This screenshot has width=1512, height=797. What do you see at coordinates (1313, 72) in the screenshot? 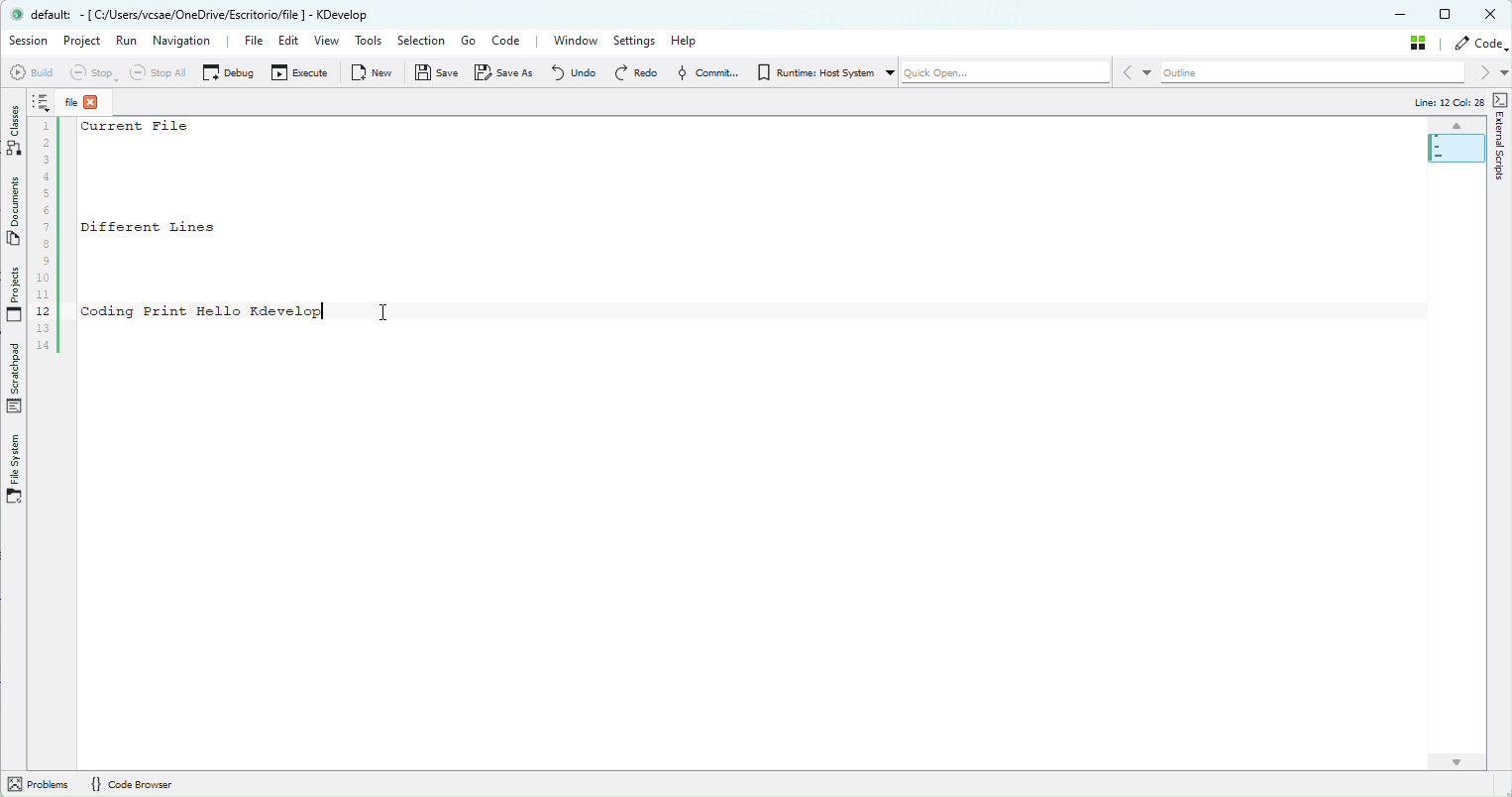
I see `Outline` at bounding box center [1313, 72].